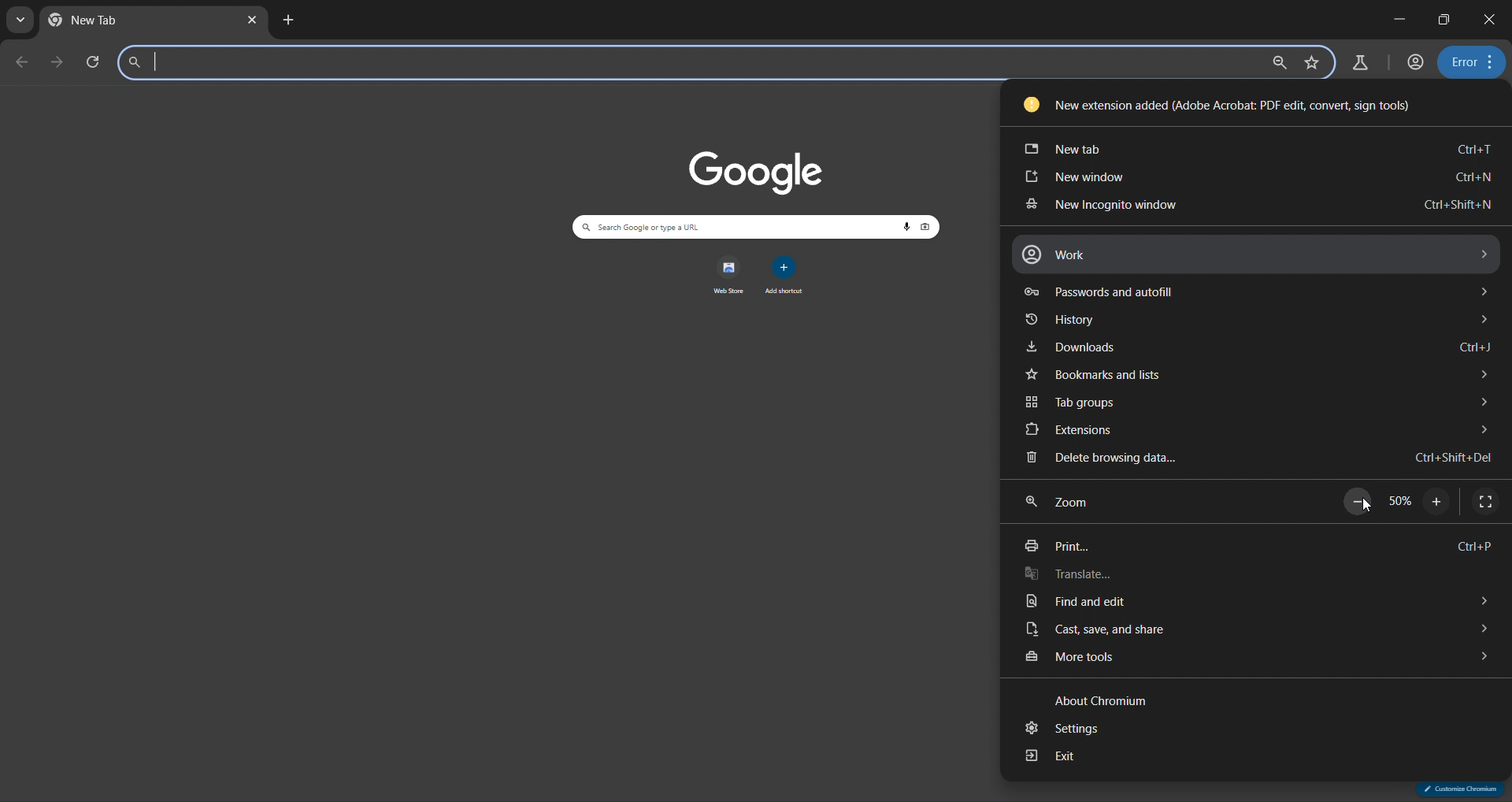 This screenshot has width=1512, height=802. What do you see at coordinates (1262, 145) in the screenshot?
I see `new tab` at bounding box center [1262, 145].